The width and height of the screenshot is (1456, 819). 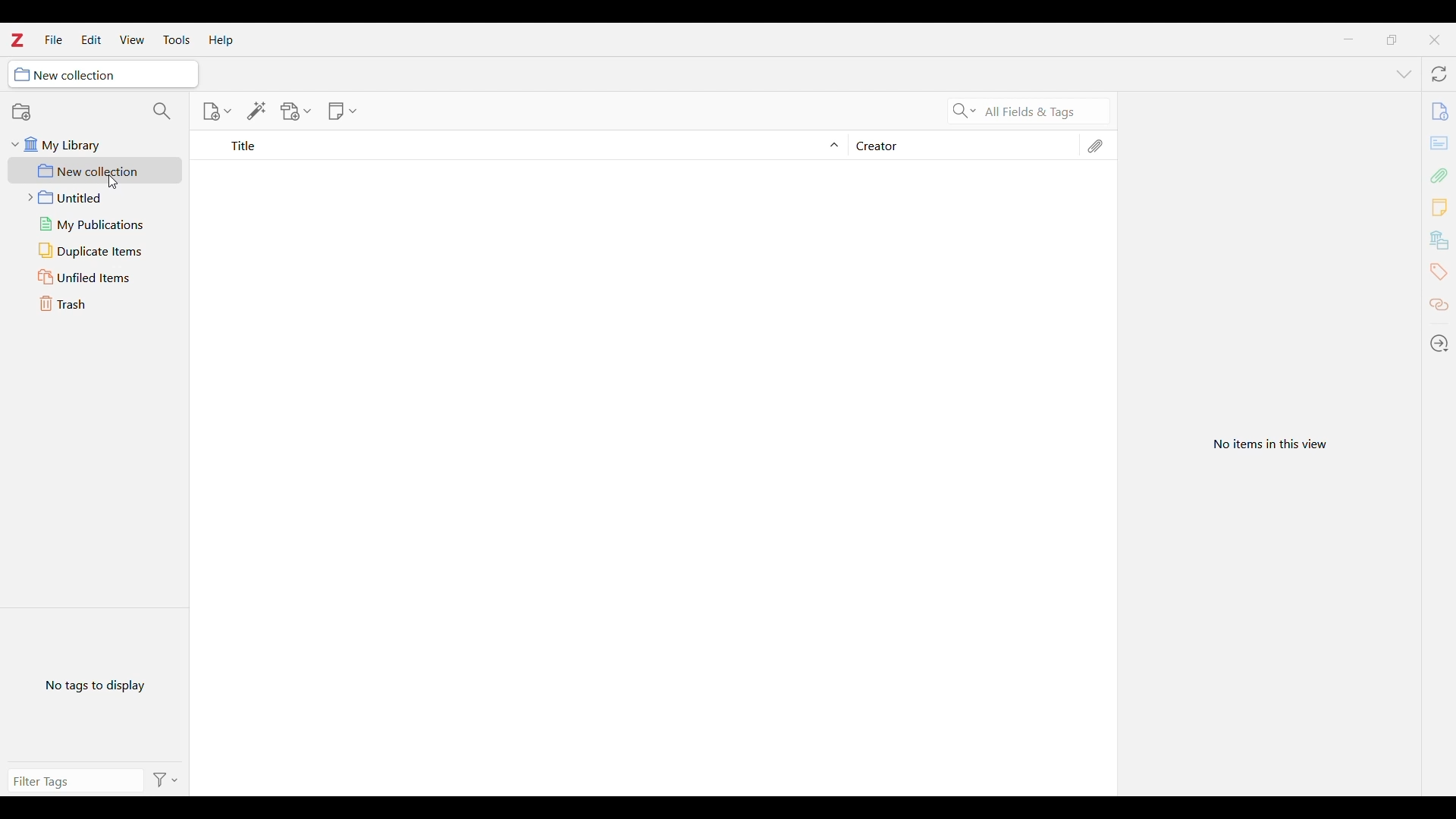 I want to click on Selected search criteria, so click(x=1044, y=111).